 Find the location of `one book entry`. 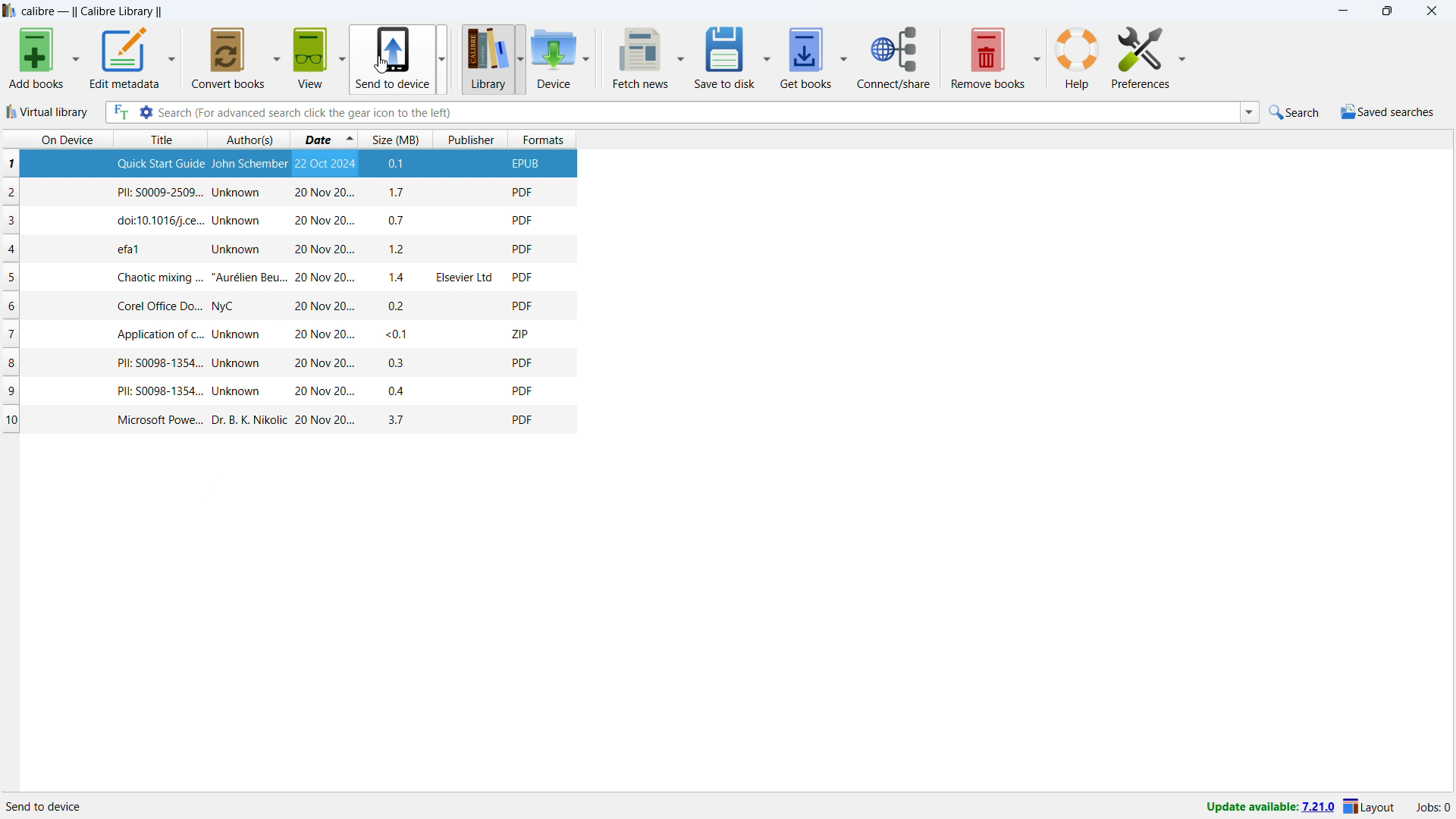

one book entry is located at coordinates (286, 306).